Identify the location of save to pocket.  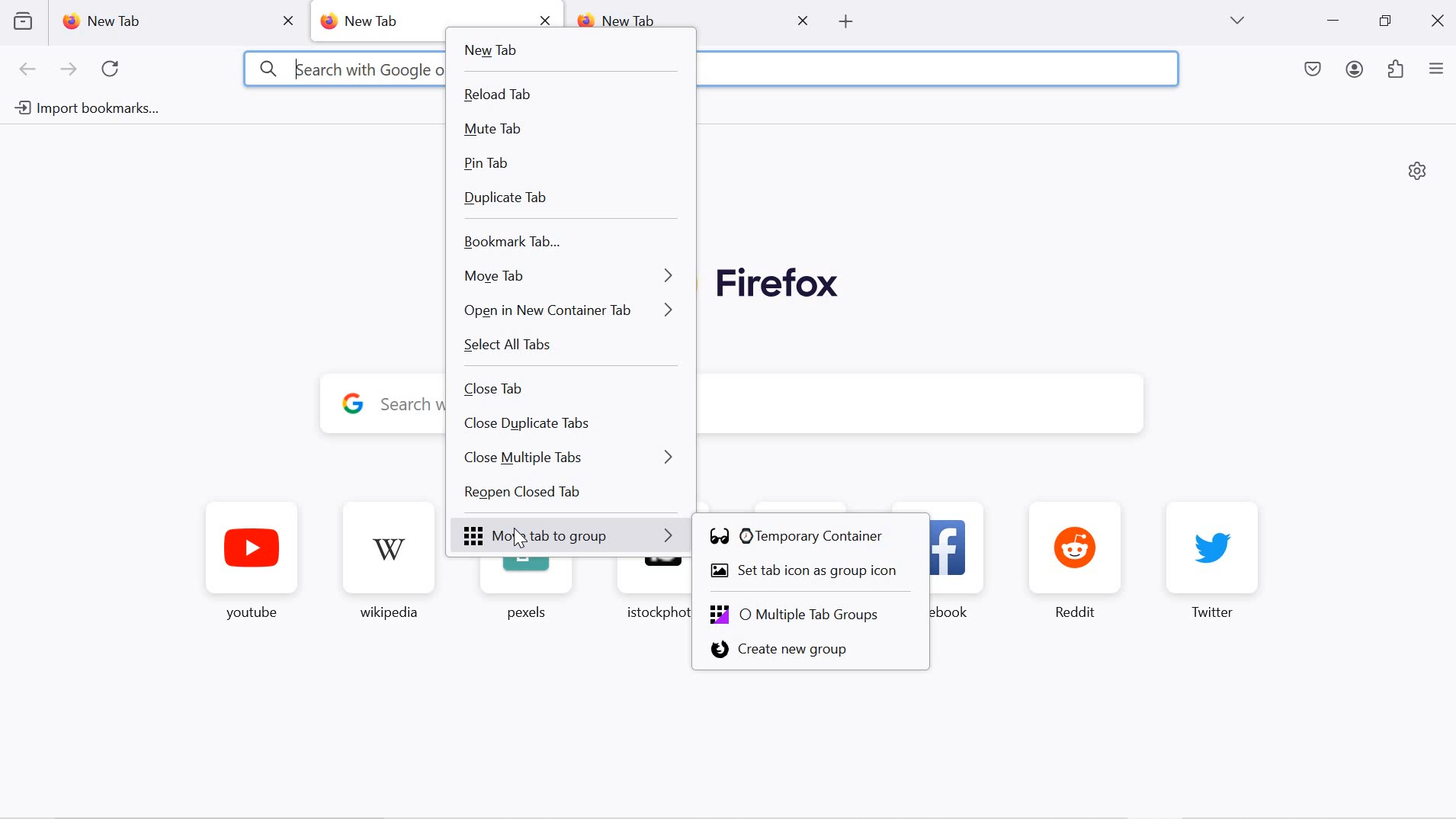
(1314, 71).